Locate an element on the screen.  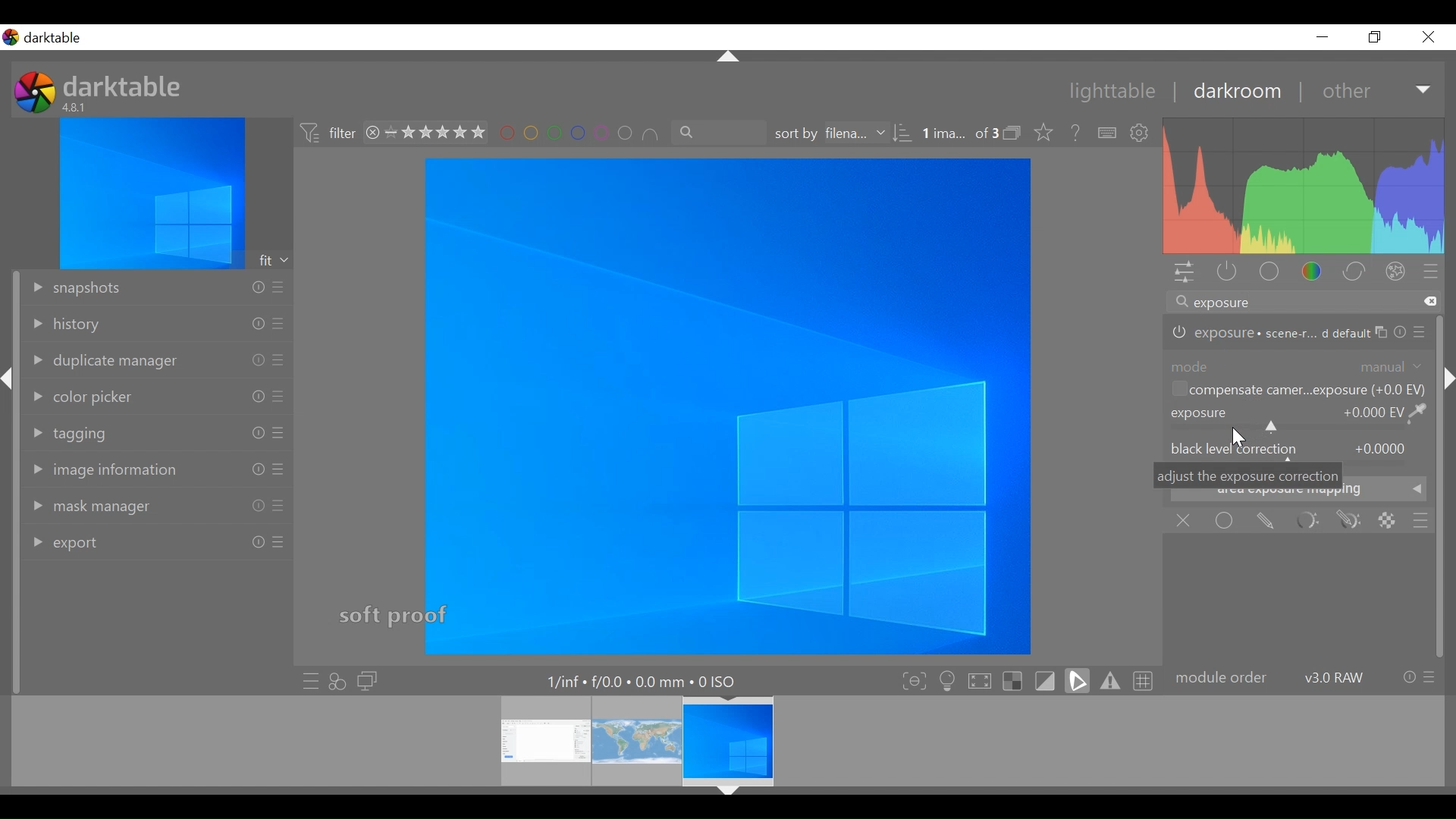
duplicate manager is located at coordinates (102, 362).